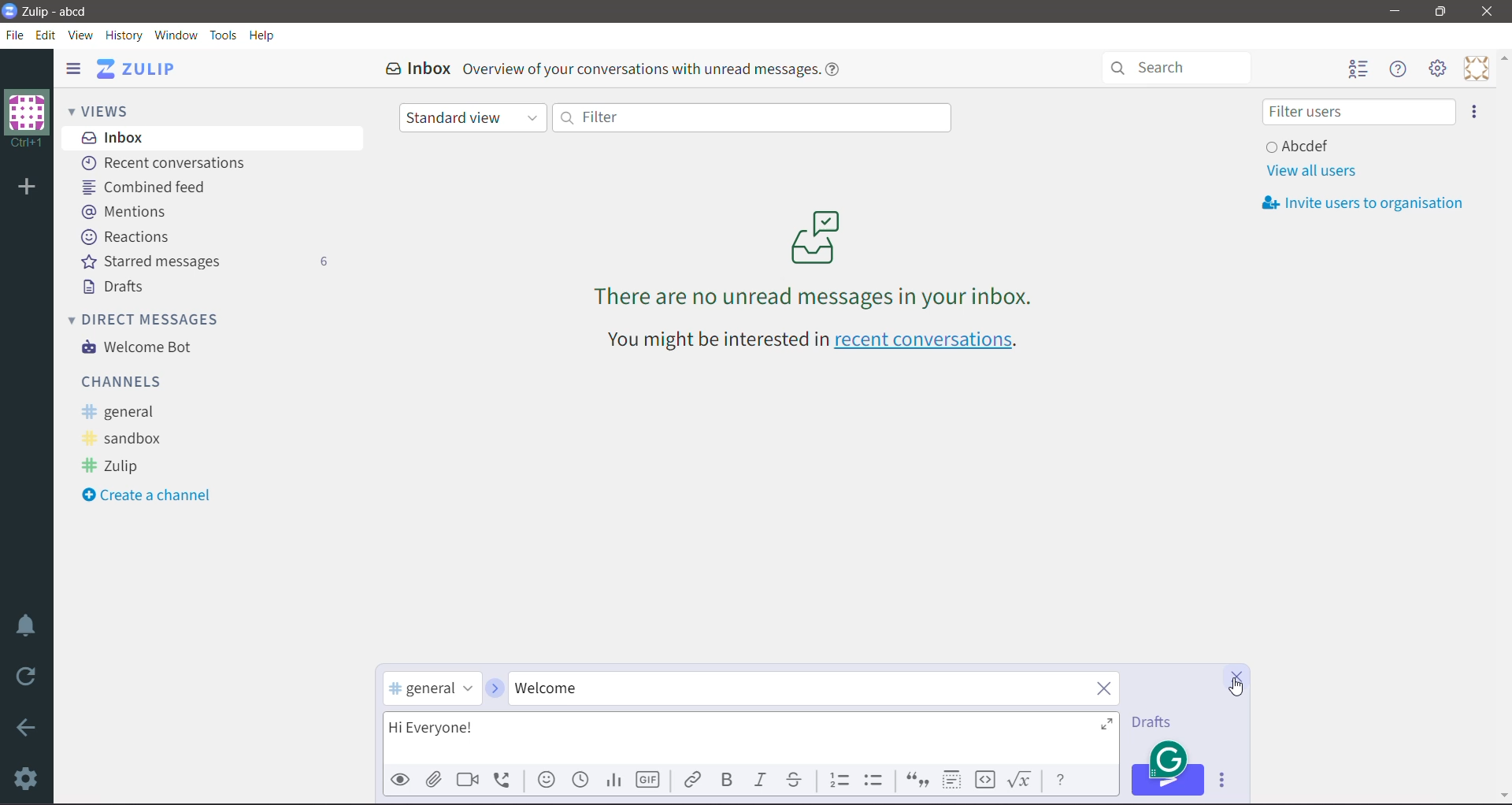 The width and height of the screenshot is (1512, 805). Describe the element at coordinates (473, 119) in the screenshot. I see `Standard view` at that location.